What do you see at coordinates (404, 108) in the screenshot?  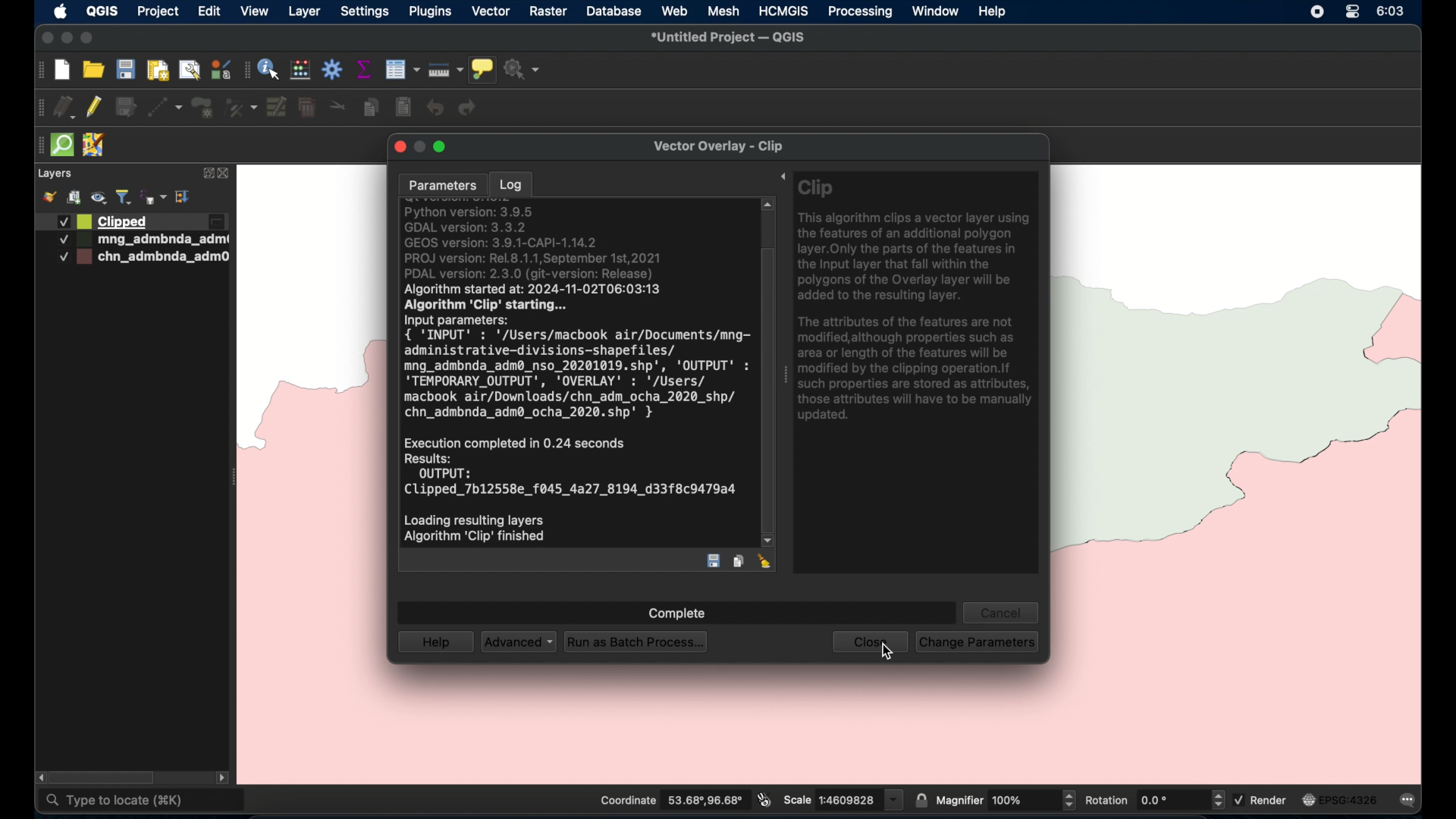 I see `paste features` at bounding box center [404, 108].